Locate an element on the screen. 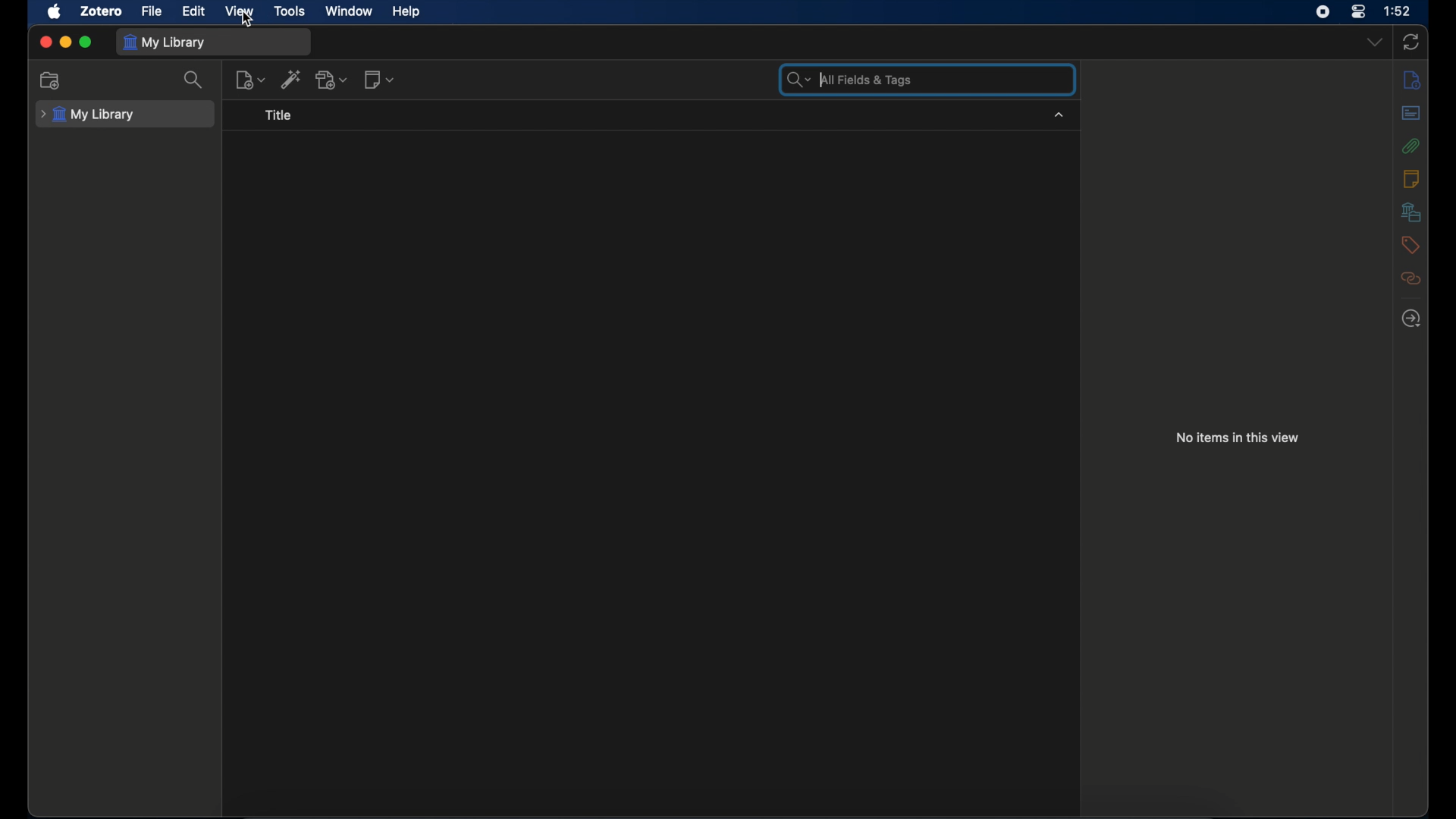 The height and width of the screenshot is (819, 1456). dropdown is located at coordinates (1375, 42).